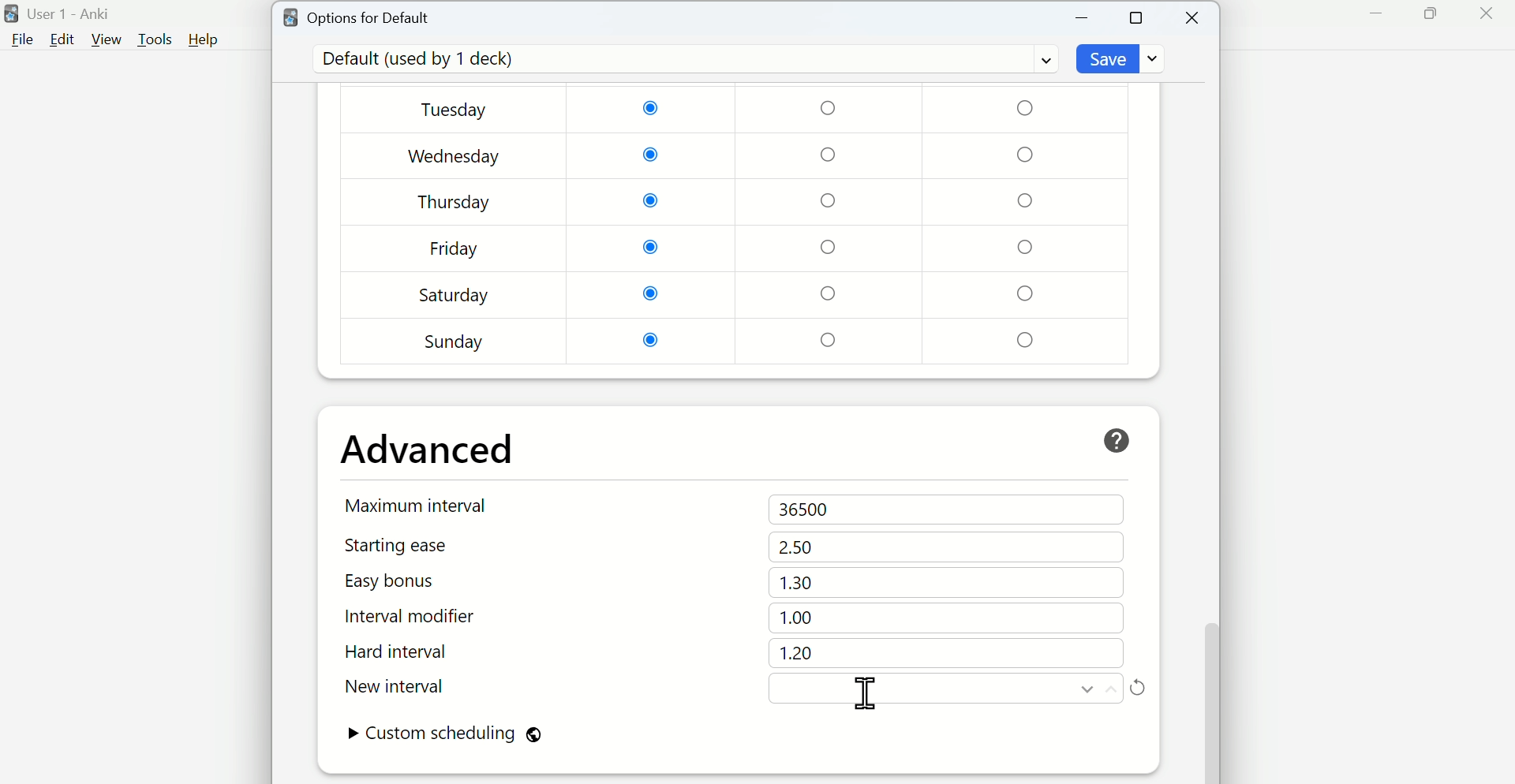  Describe the element at coordinates (416, 654) in the screenshot. I see `Hard interval` at that location.